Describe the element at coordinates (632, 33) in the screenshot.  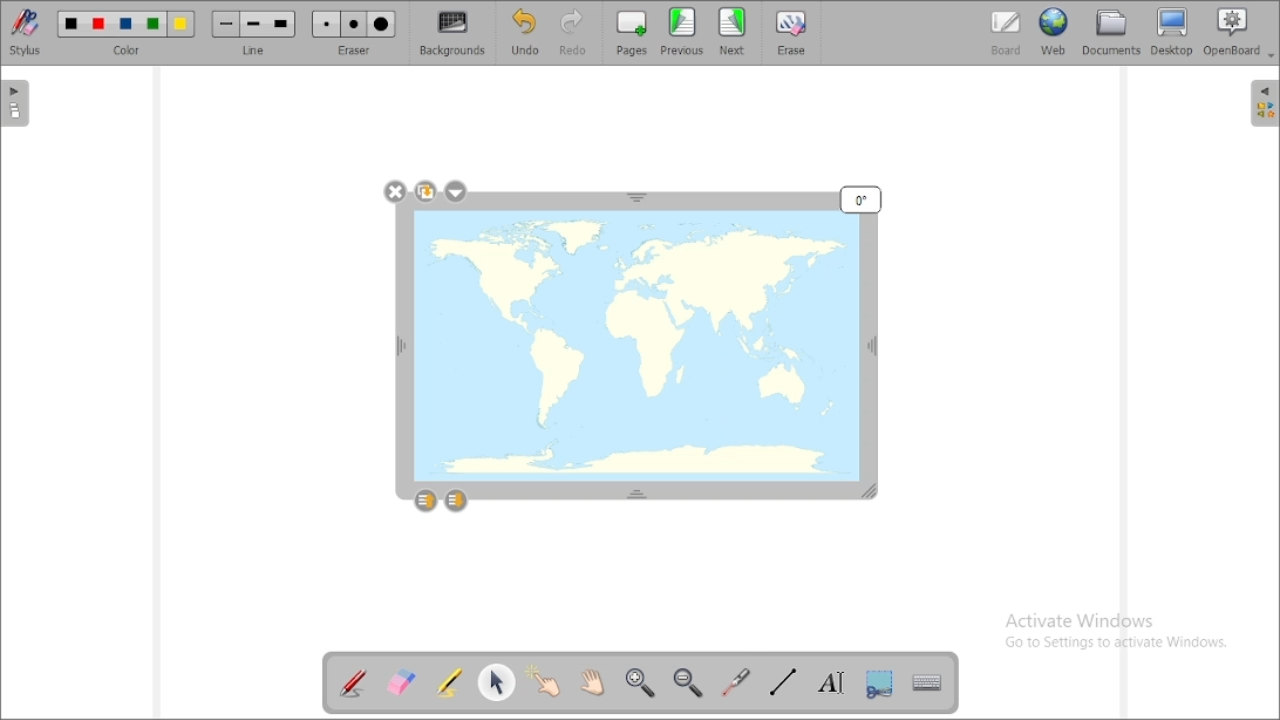
I see `pages` at that location.